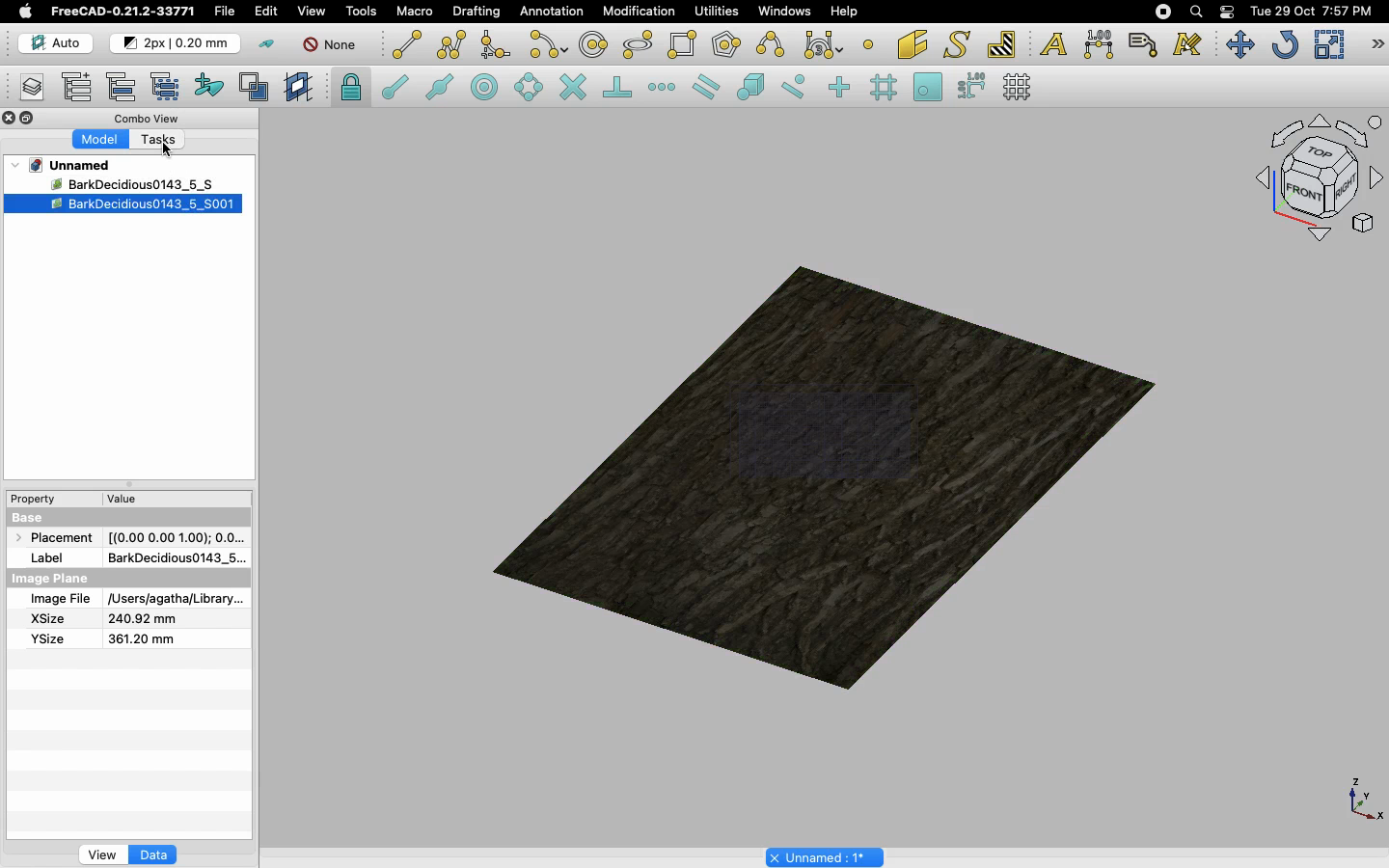 The height and width of the screenshot is (868, 1389). Describe the element at coordinates (885, 88) in the screenshot. I see `Snap grid` at that location.